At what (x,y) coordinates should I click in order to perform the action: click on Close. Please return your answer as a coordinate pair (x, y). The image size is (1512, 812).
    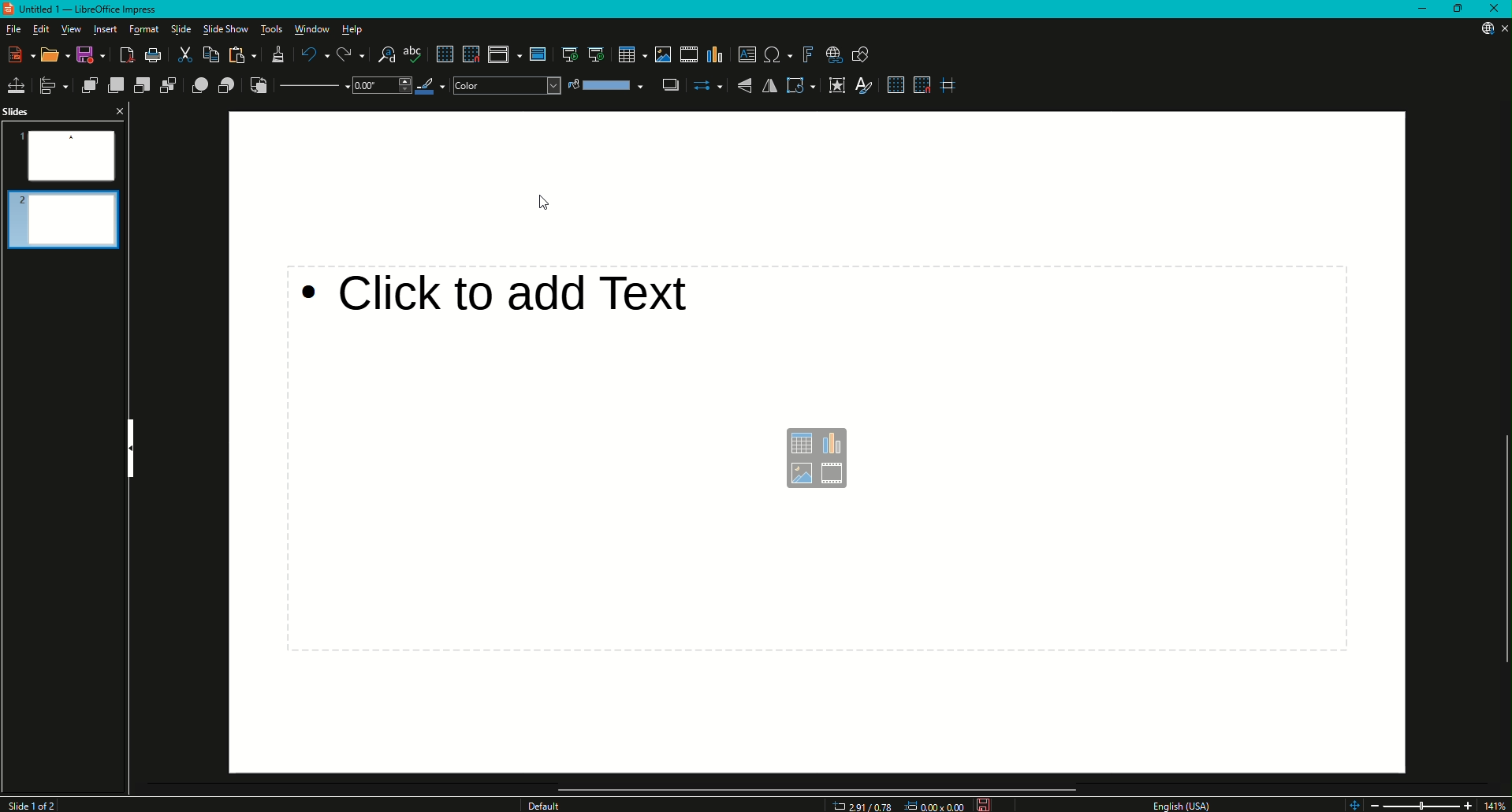
    Looking at the image, I should click on (119, 111).